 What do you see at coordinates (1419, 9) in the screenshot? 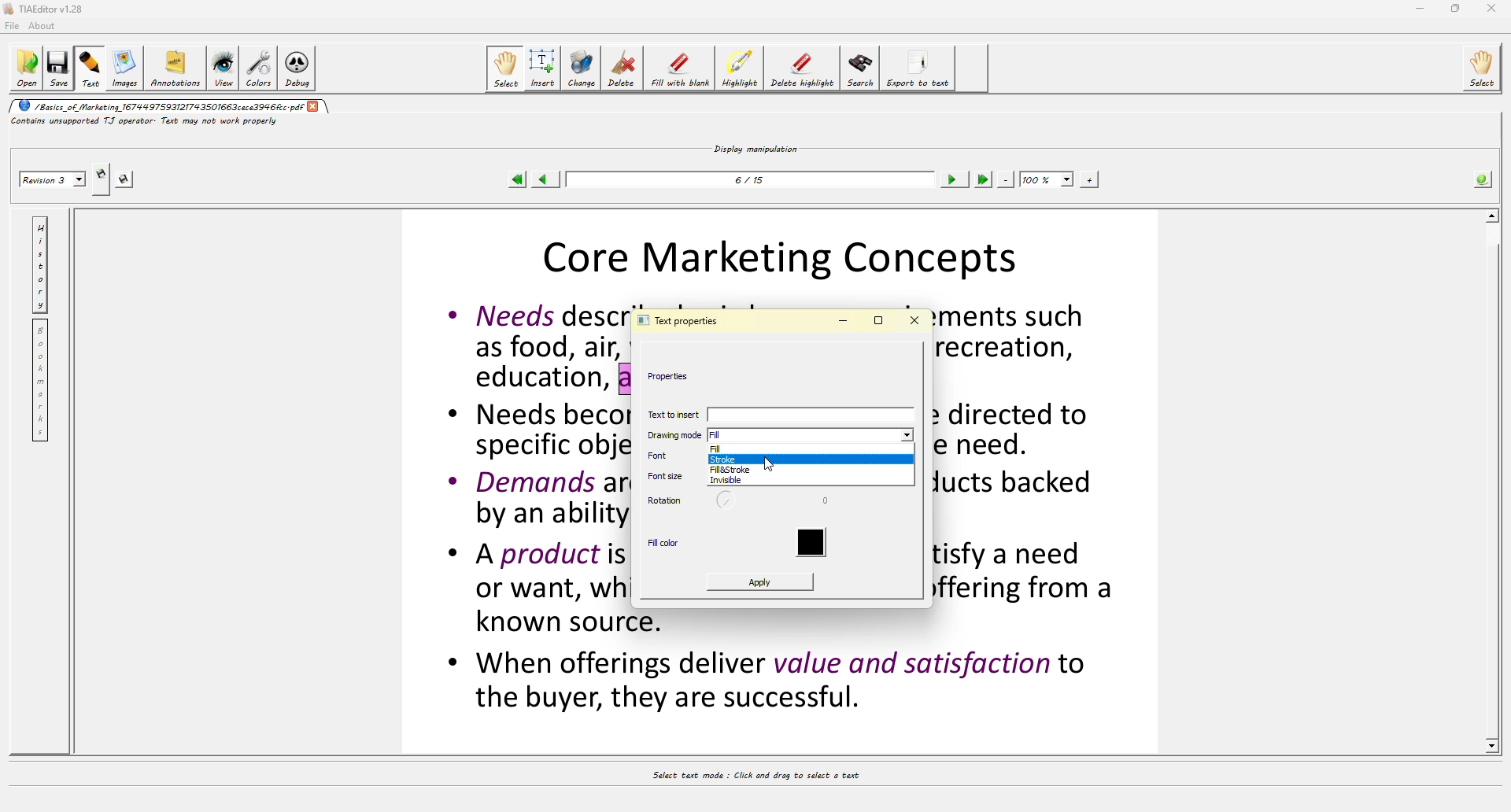
I see `minimize` at bounding box center [1419, 9].